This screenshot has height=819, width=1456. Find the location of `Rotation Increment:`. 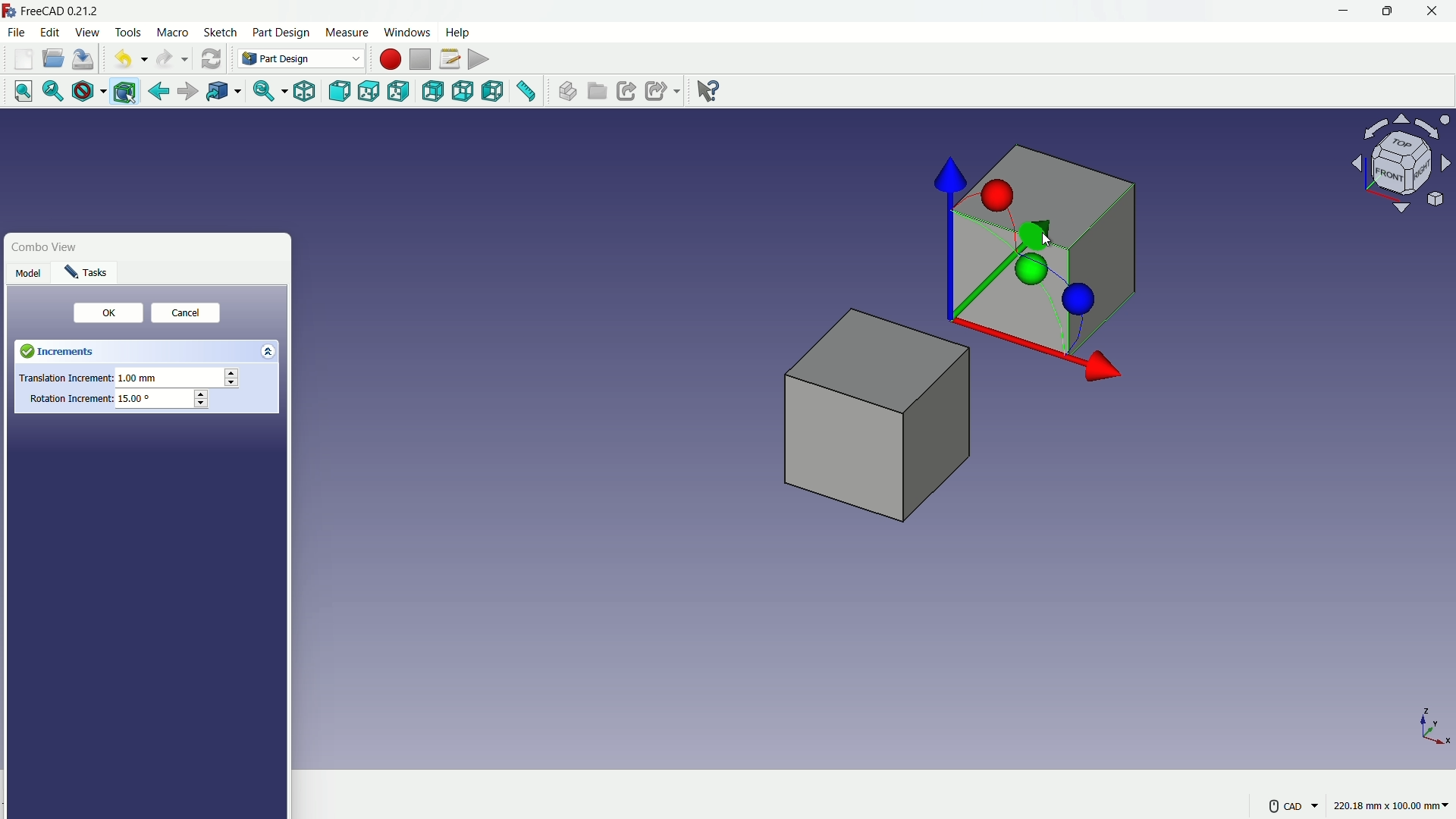

Rotation Increment: is located at coordinates (70, 399).